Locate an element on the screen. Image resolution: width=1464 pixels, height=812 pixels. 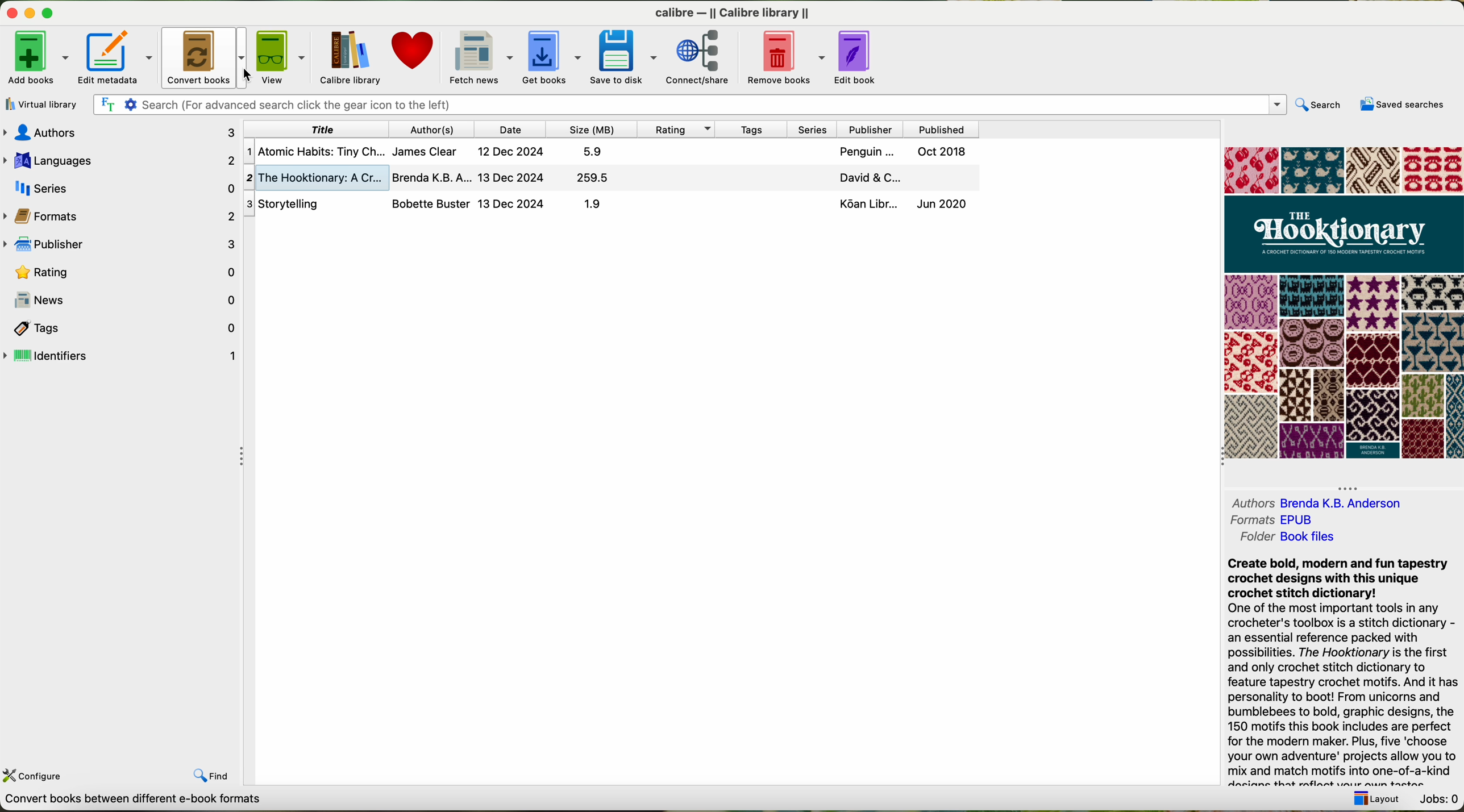
title is located at coordinates (317, 130).